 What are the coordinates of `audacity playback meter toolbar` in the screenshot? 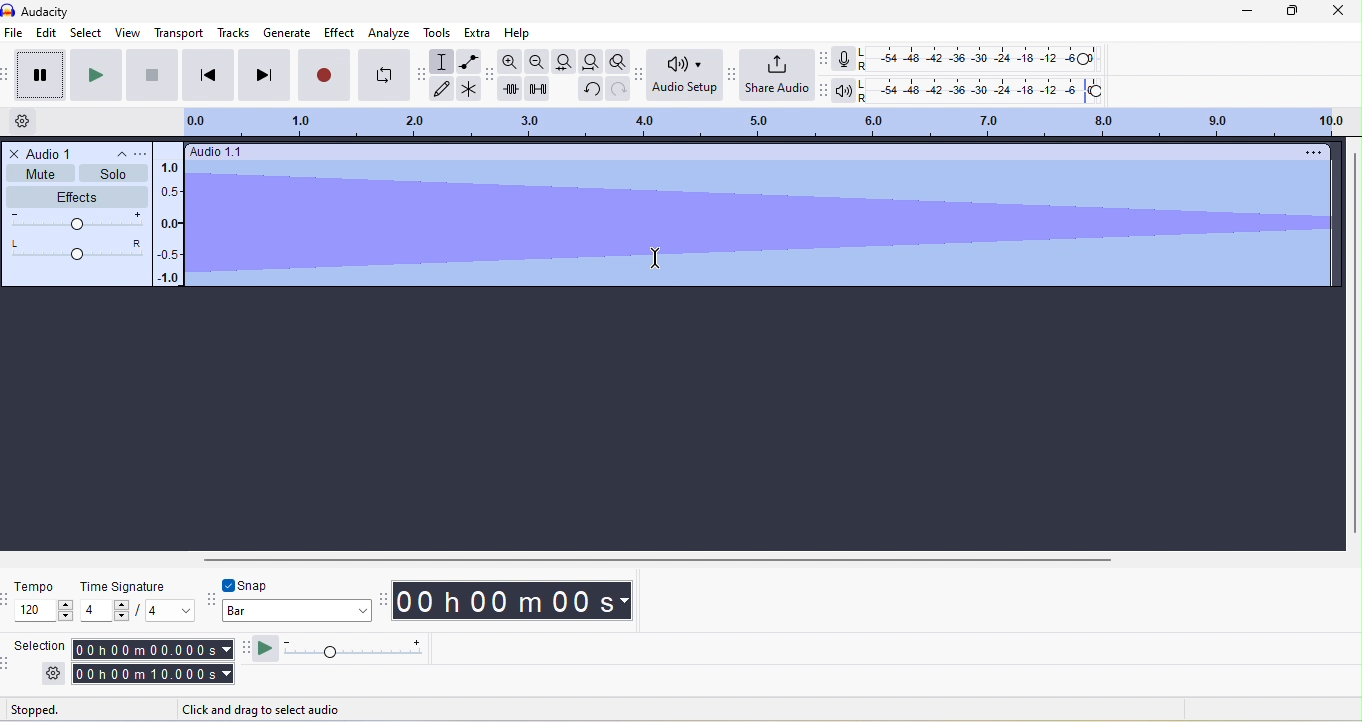 It's located at (824, 88).